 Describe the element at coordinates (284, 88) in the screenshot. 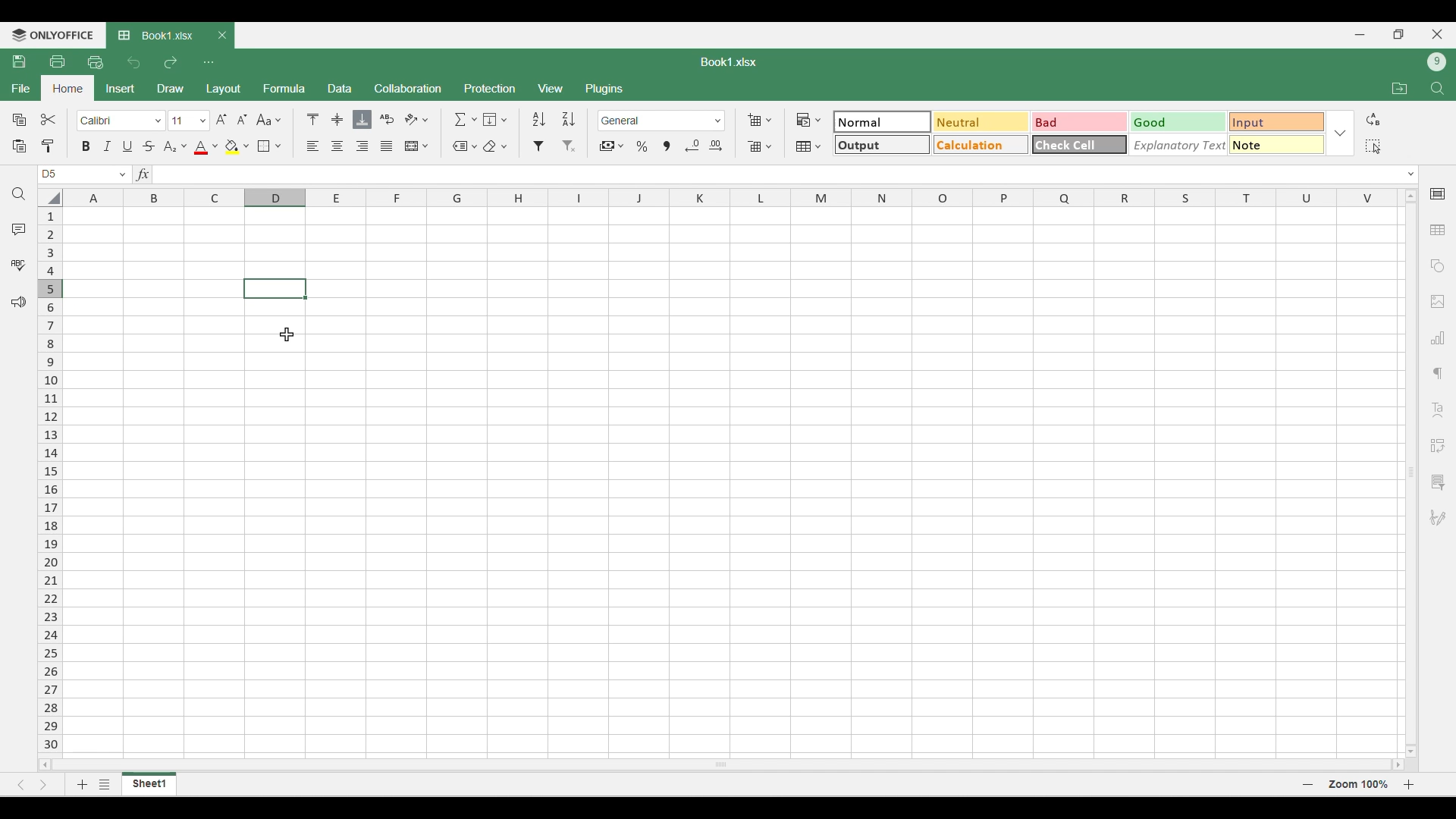

I see `Formula menu` at that location.